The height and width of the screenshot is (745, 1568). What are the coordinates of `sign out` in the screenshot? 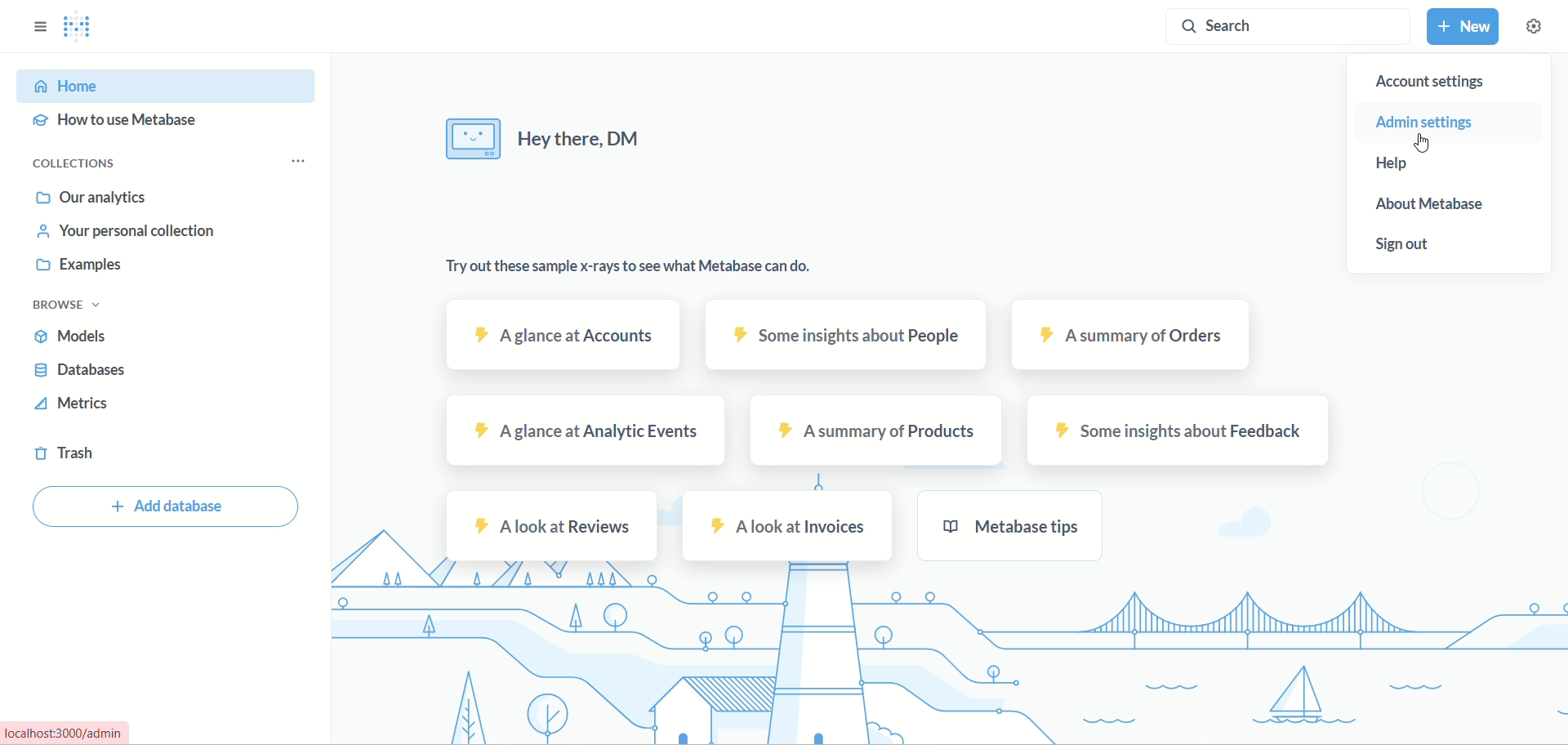 It's located at (1404, 245).